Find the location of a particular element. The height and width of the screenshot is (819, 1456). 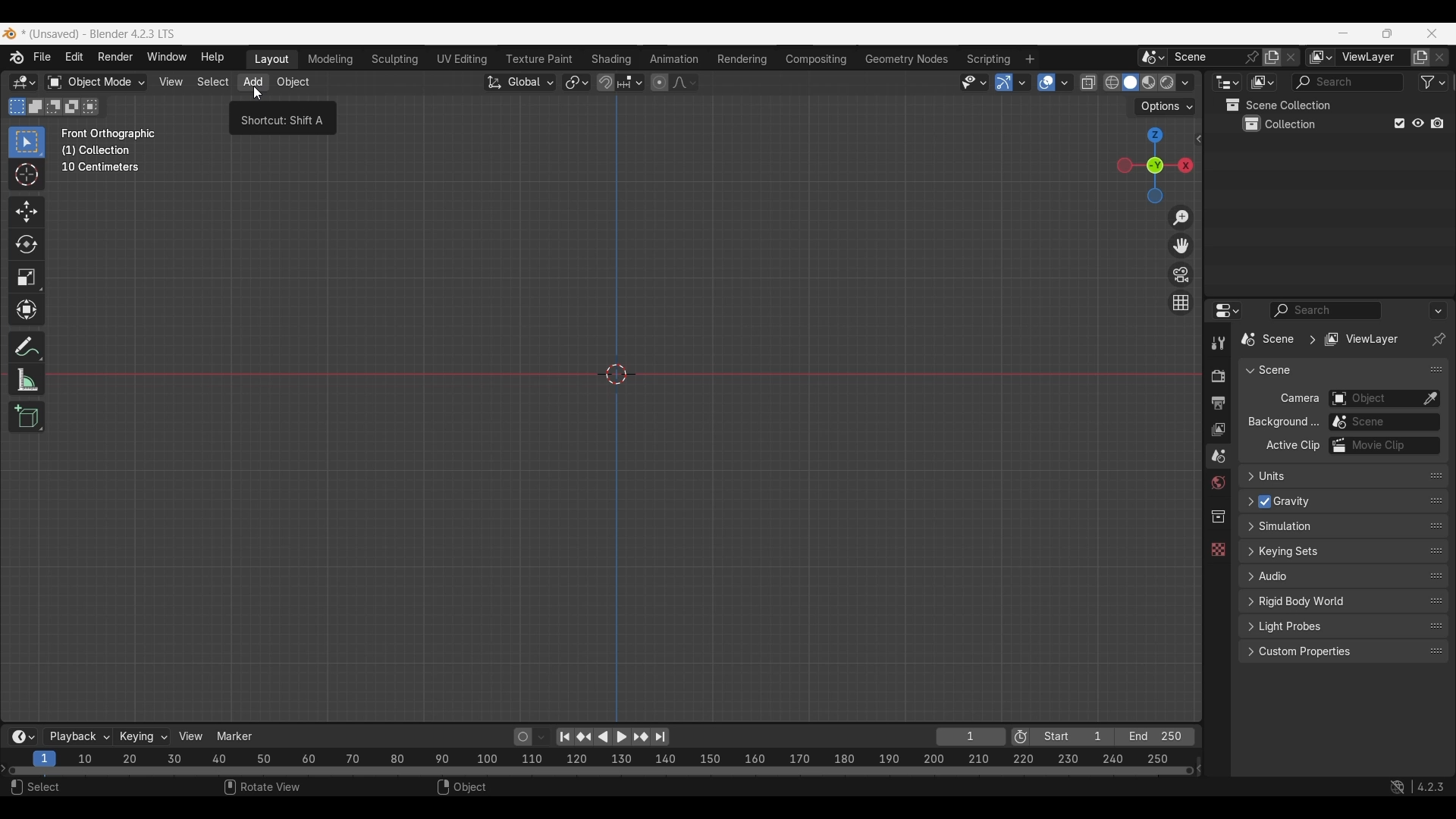

Auto keyframing is located at coordinates (541, 737).